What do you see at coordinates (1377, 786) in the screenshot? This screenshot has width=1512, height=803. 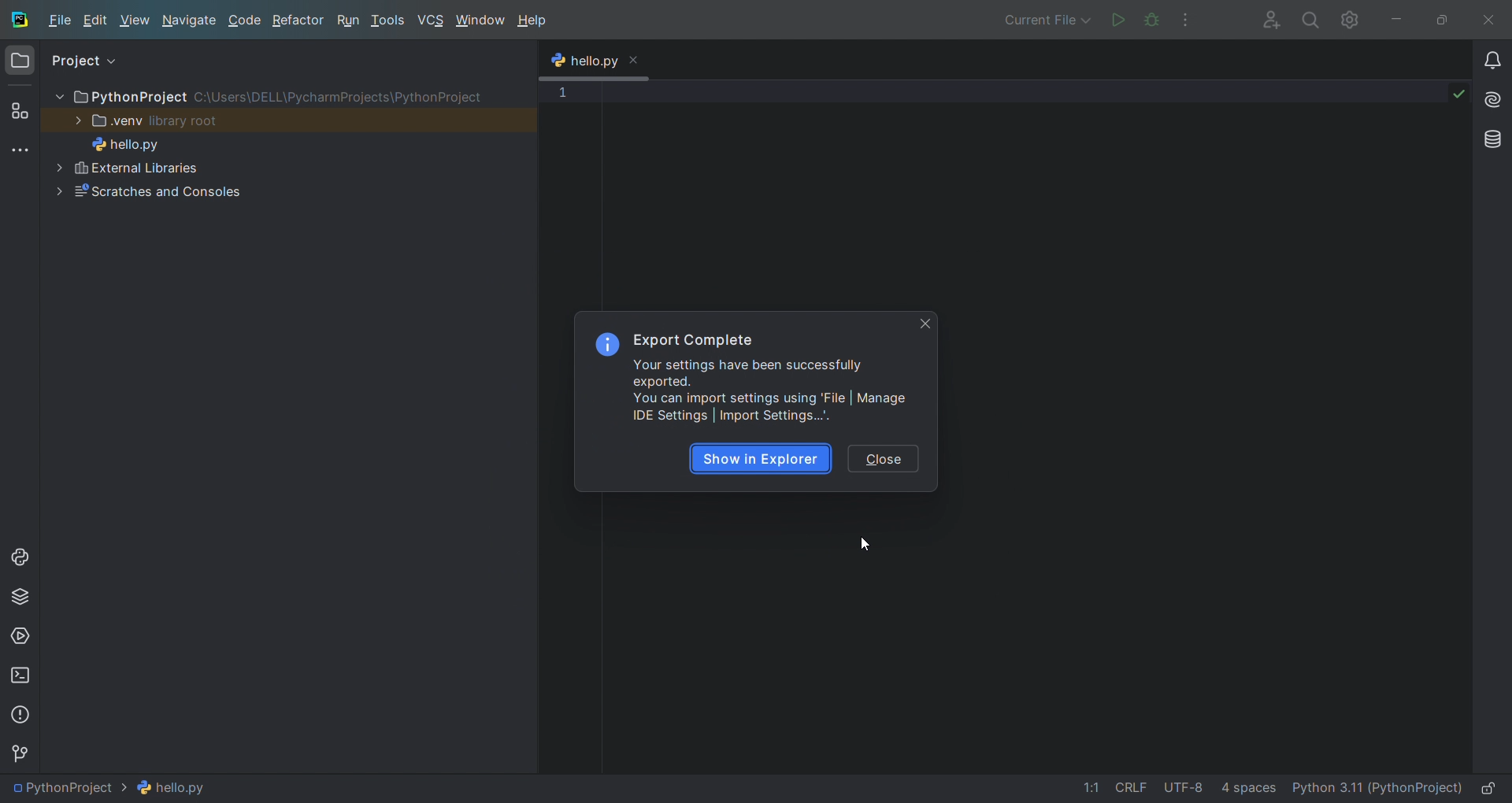 I see `interpreter` at bounding box center [1377, 786].